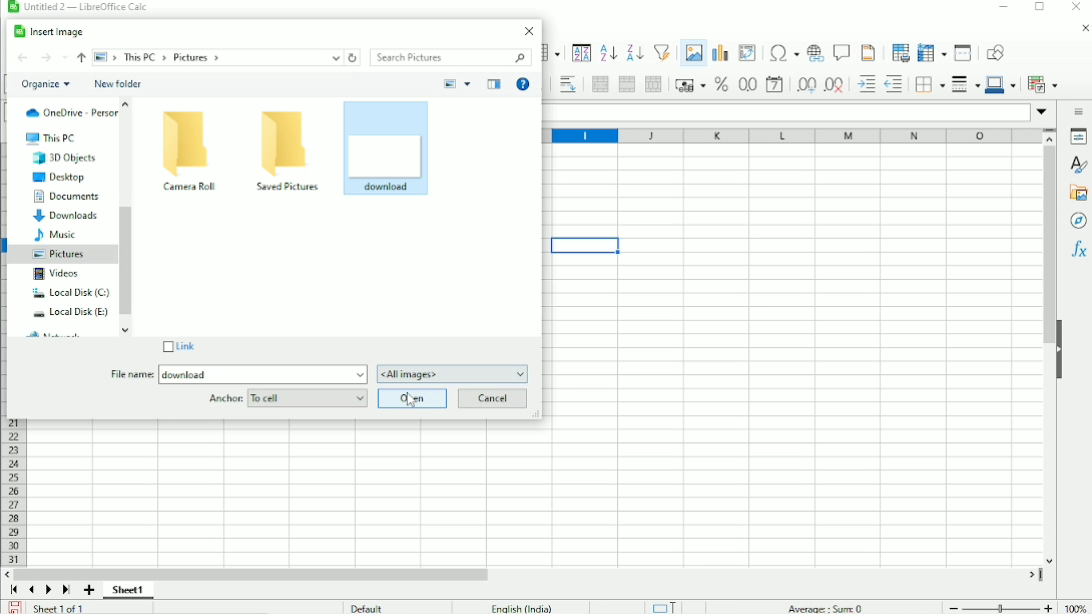  I want to click on This PC, so click(51, 138).